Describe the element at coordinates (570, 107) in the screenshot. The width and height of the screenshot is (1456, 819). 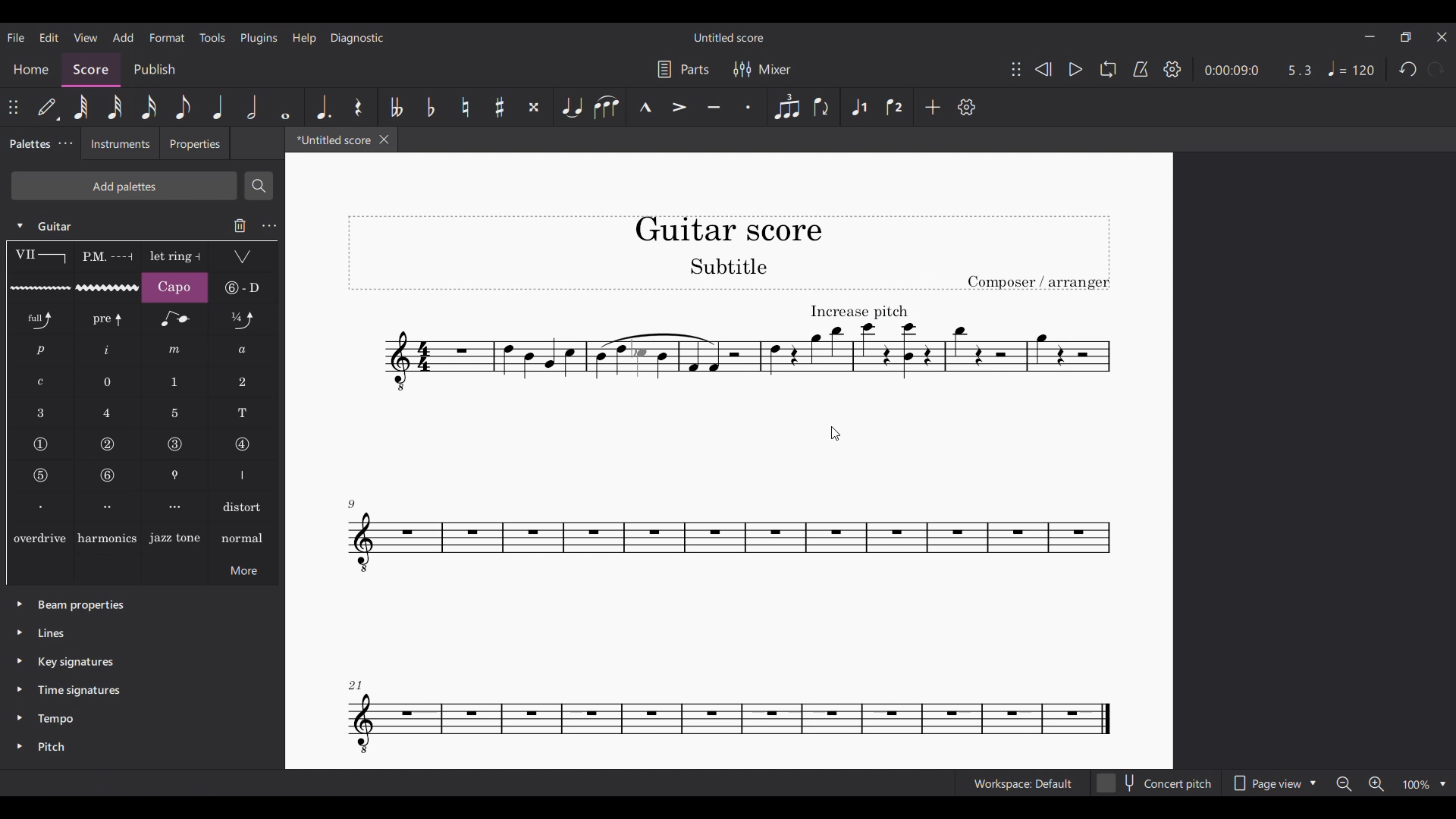
I see `Tie` at that location.